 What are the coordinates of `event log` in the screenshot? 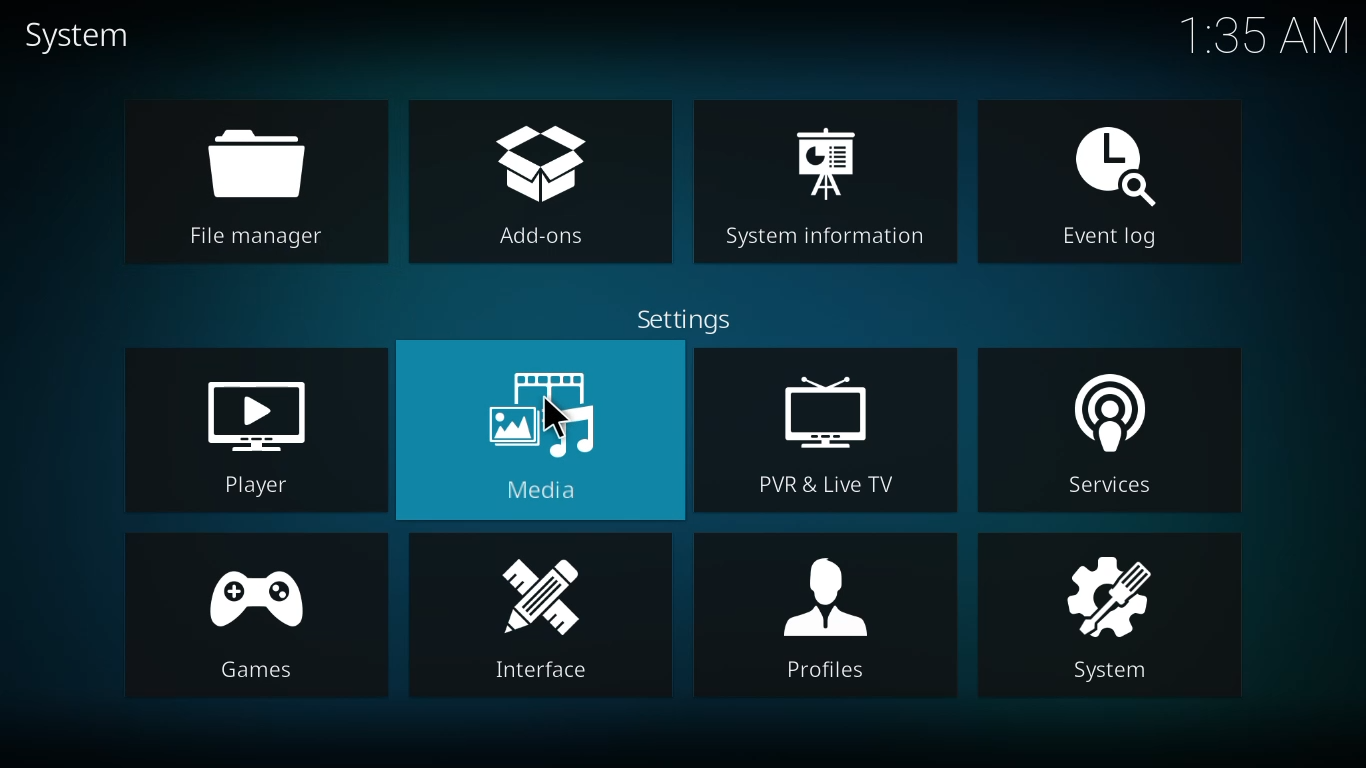 It's located at (1096, 186).